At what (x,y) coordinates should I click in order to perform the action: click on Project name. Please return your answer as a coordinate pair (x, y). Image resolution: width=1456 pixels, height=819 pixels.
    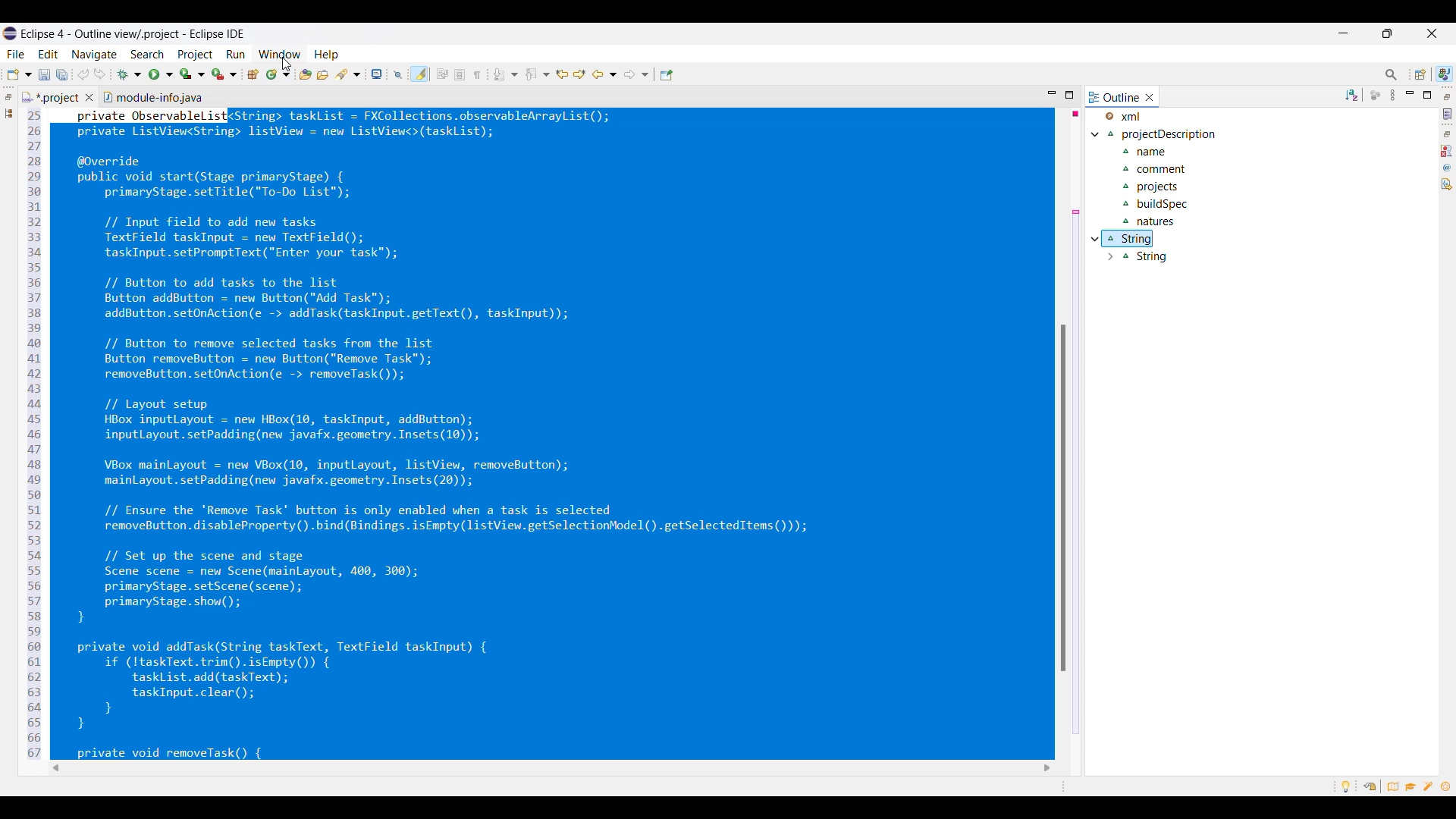
    Looking at the image, I should click on (1131, 116).